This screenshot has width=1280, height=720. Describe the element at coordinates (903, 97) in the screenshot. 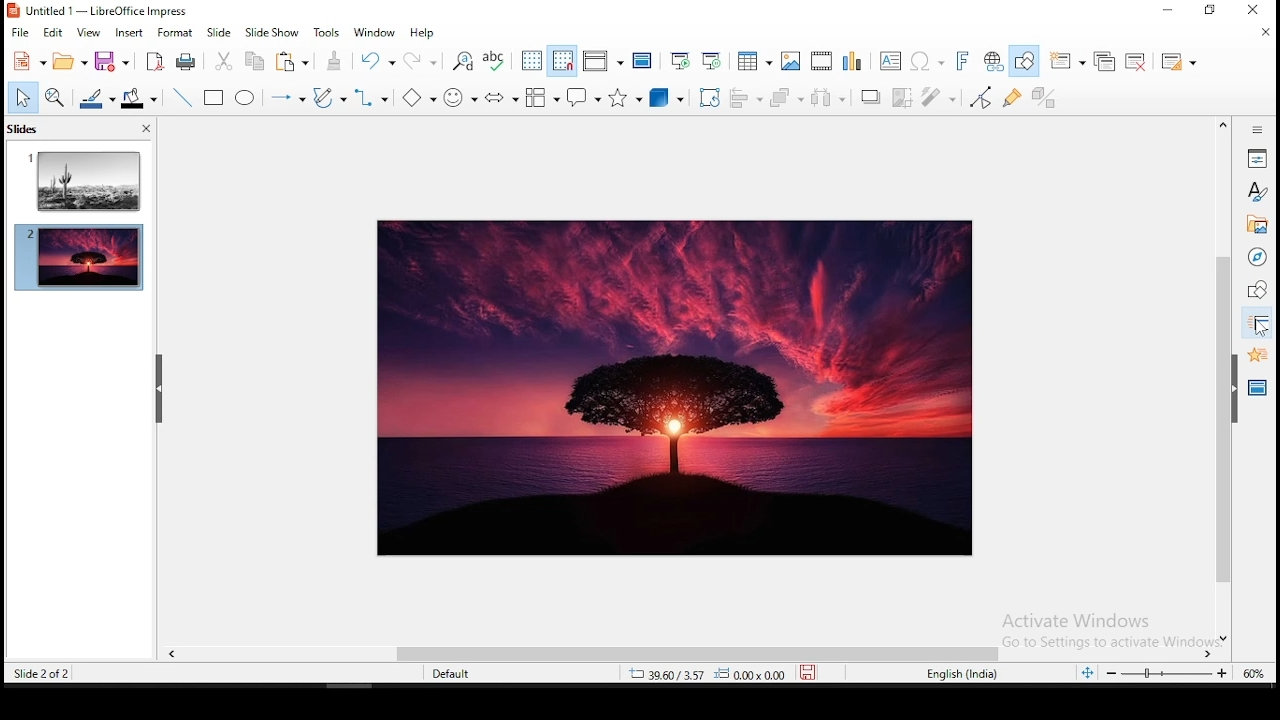

I see `crop image` at that location.